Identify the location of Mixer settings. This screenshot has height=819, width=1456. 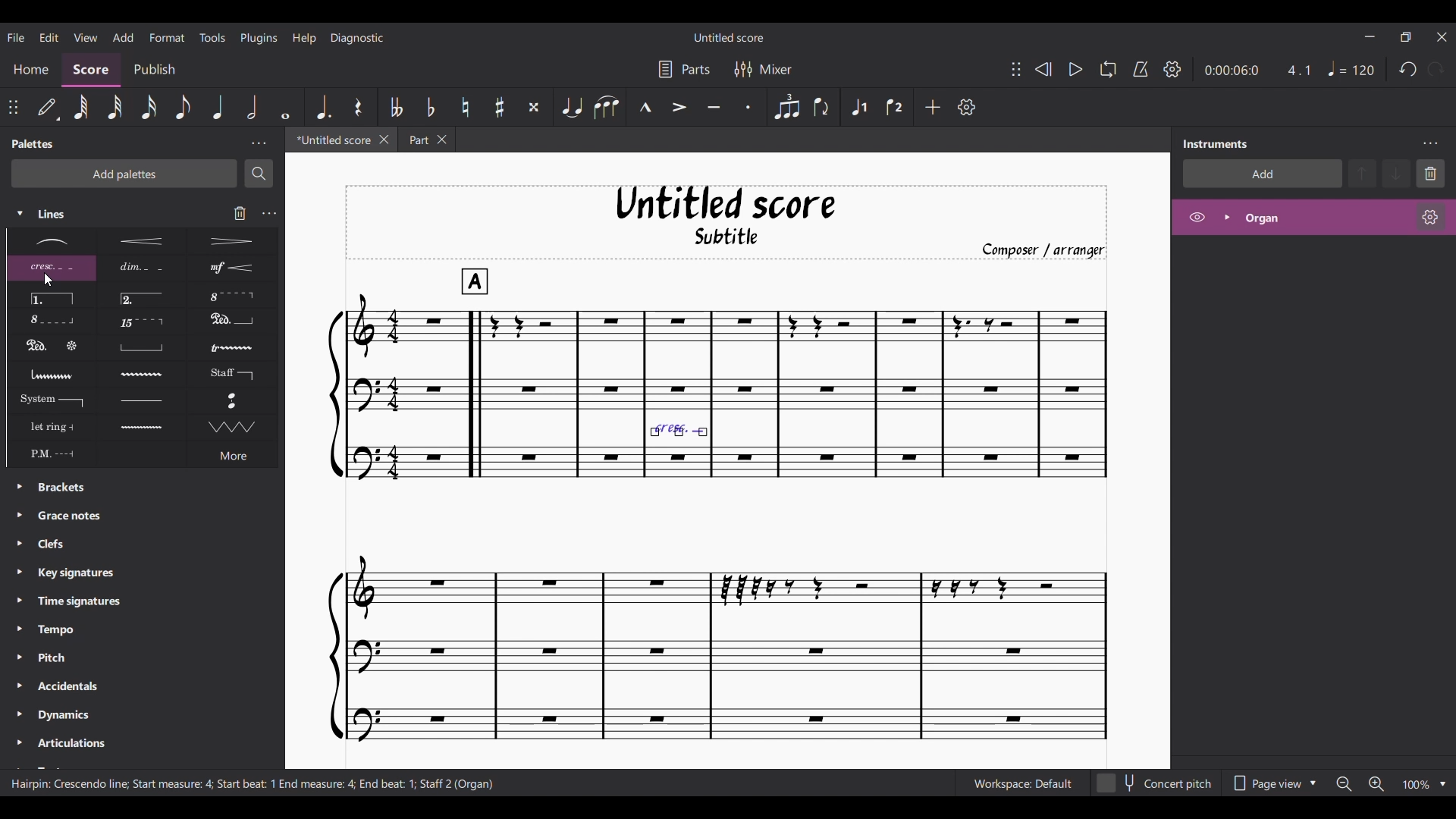
(764, 68).